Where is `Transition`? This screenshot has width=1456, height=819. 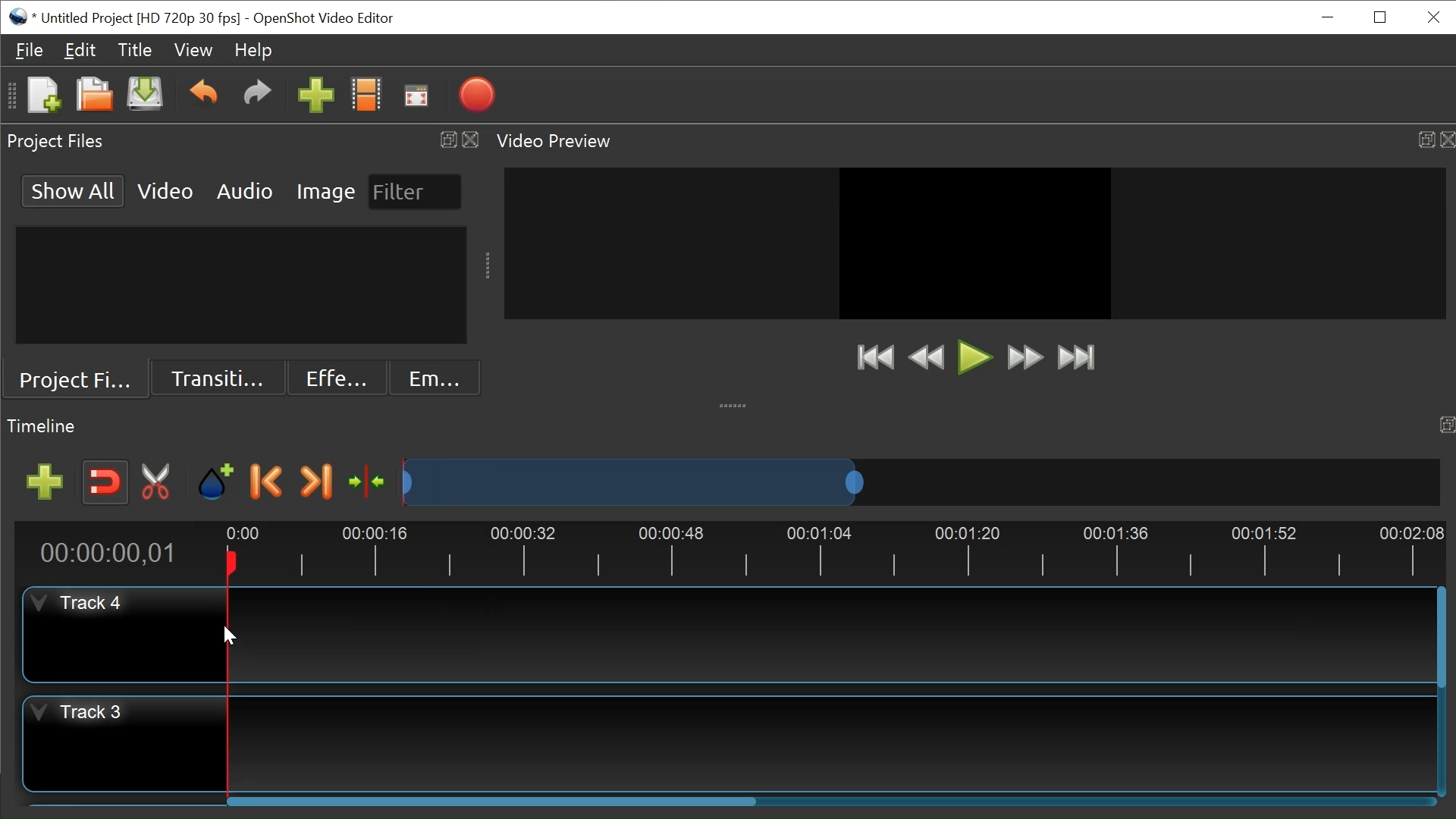
Transition is located at coordinates (215, 379).